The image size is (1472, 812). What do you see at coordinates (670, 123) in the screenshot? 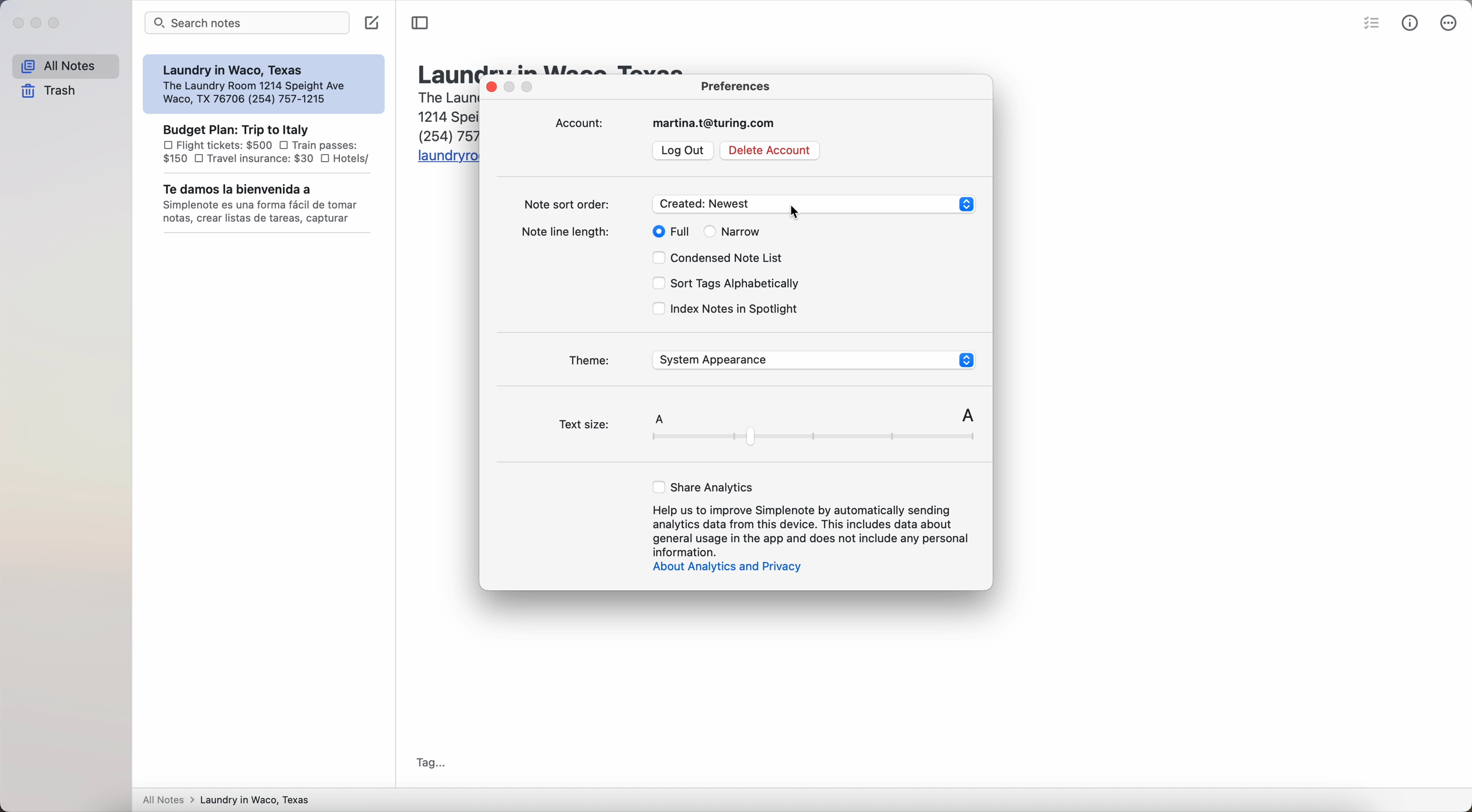
I see `account: martina.t@turing.com` at bounding box center [670, 123].